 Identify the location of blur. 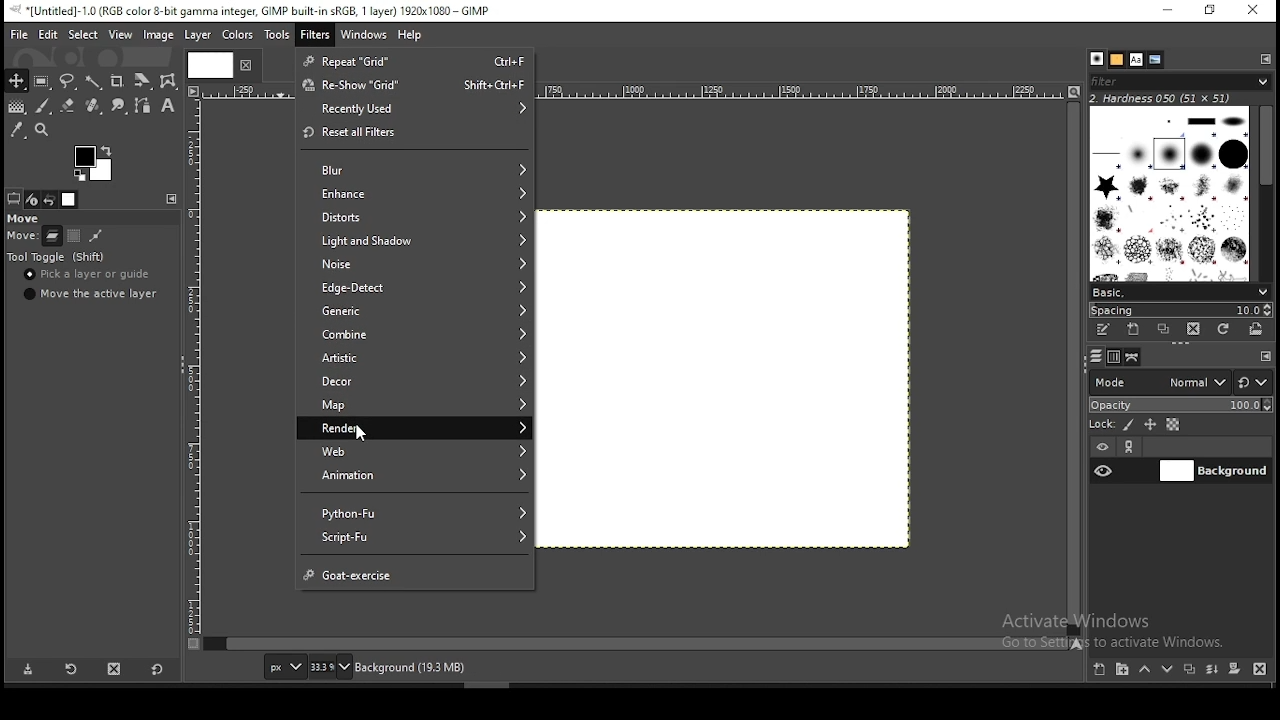
(417, 170).